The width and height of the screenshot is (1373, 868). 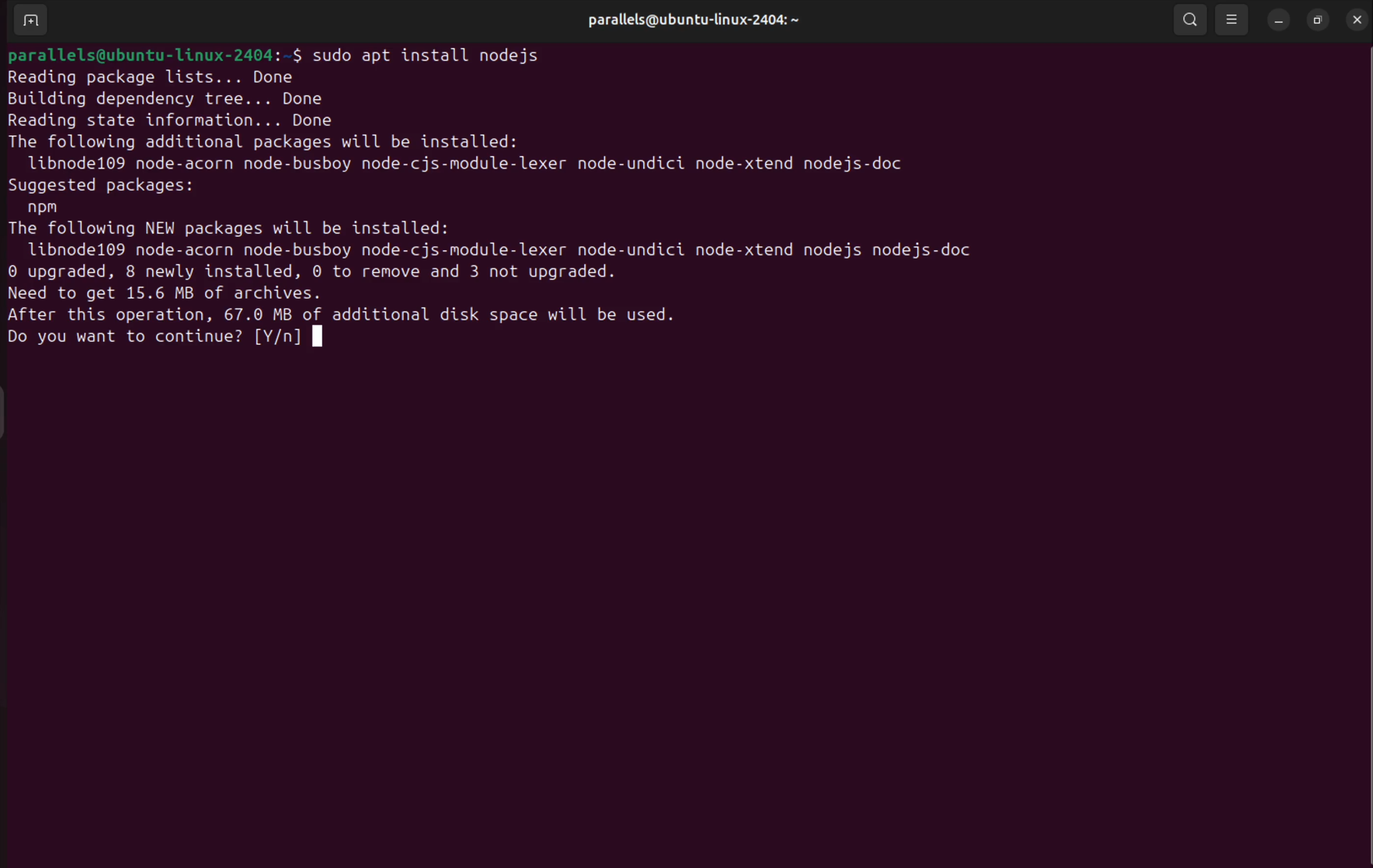 I want to click on parallels@ubuntu-linux-2404: ~, so click(x=687, y=22).